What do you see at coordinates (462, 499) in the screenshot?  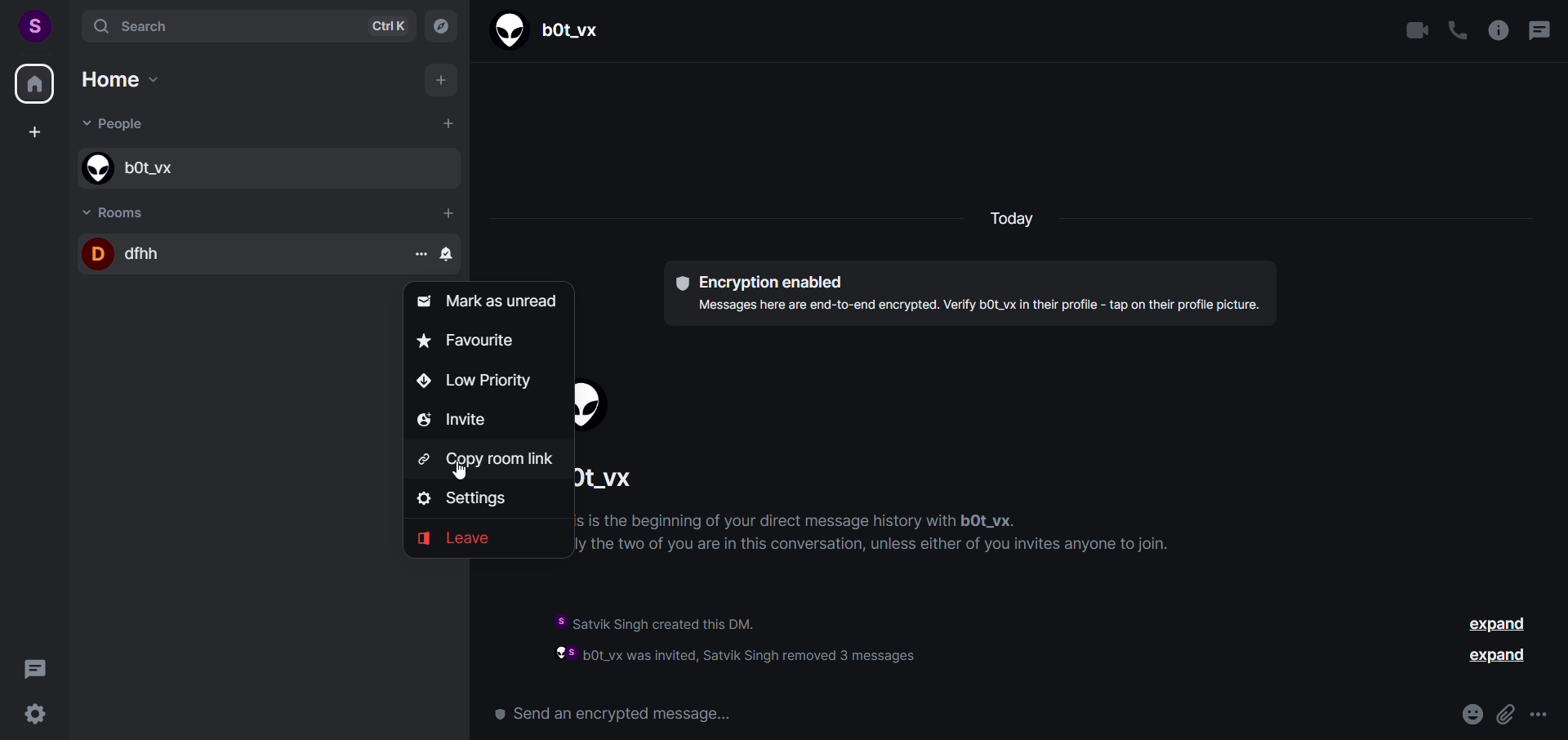 I see `setting` at bounding box center [462, 499].